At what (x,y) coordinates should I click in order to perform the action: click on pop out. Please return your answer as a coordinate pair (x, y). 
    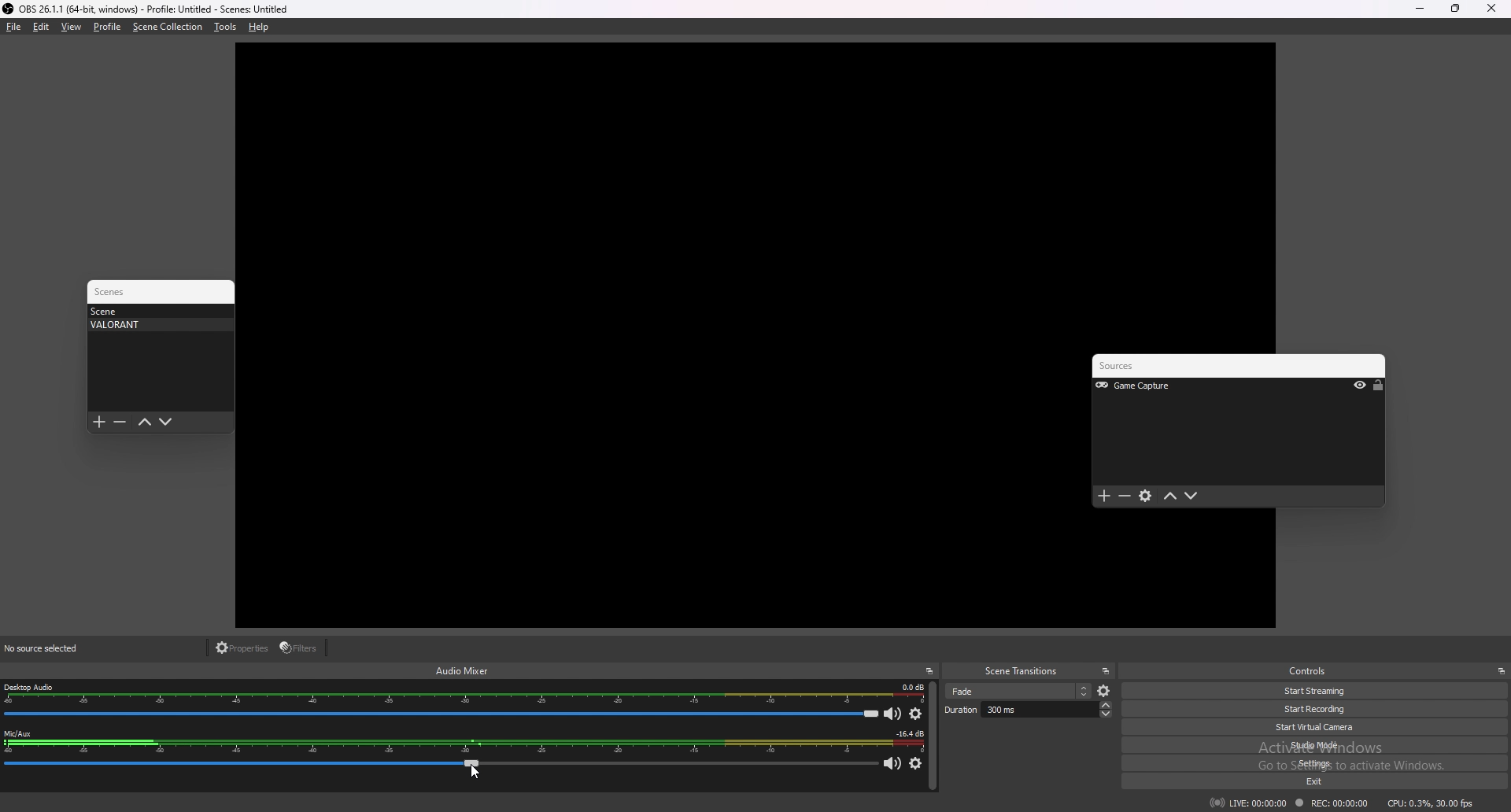
    Looking at the image, I should click on (1106, 671).